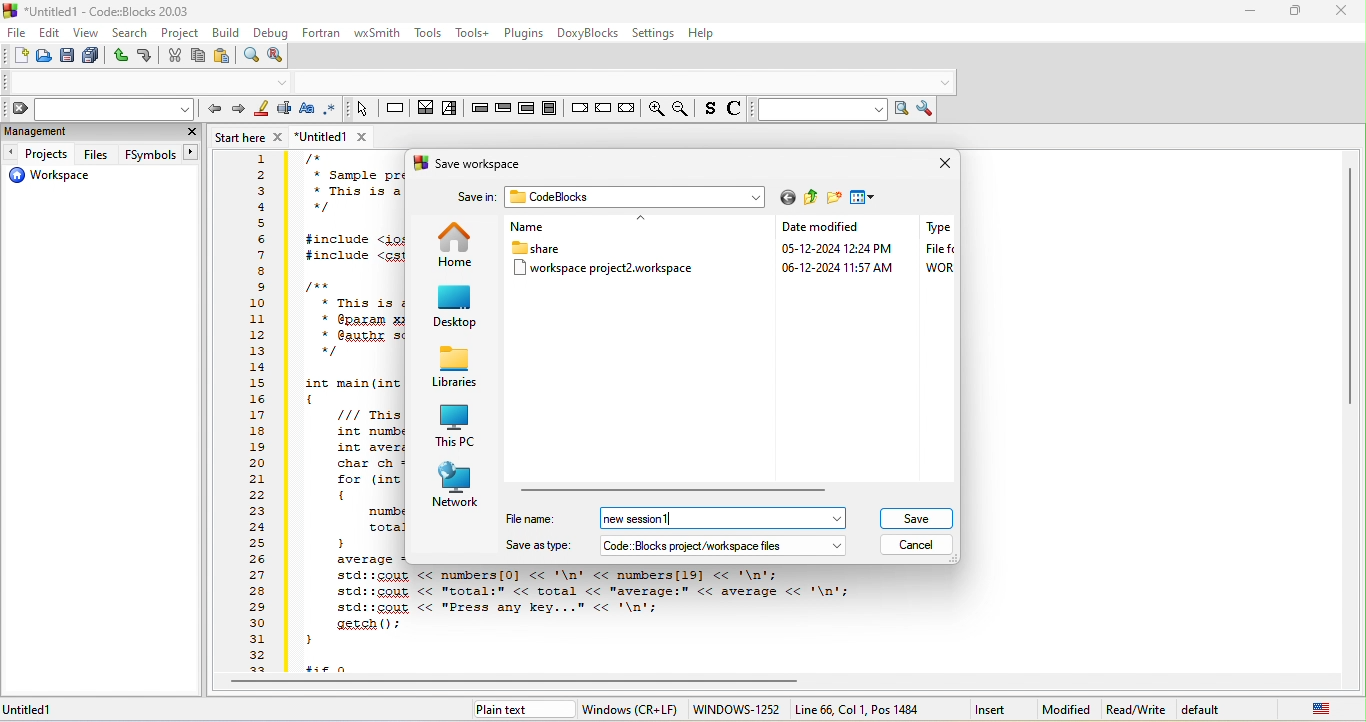 Image resolution: width=1366 pixels, height=722 pixels. I want to click on close, so click(1343, 11).